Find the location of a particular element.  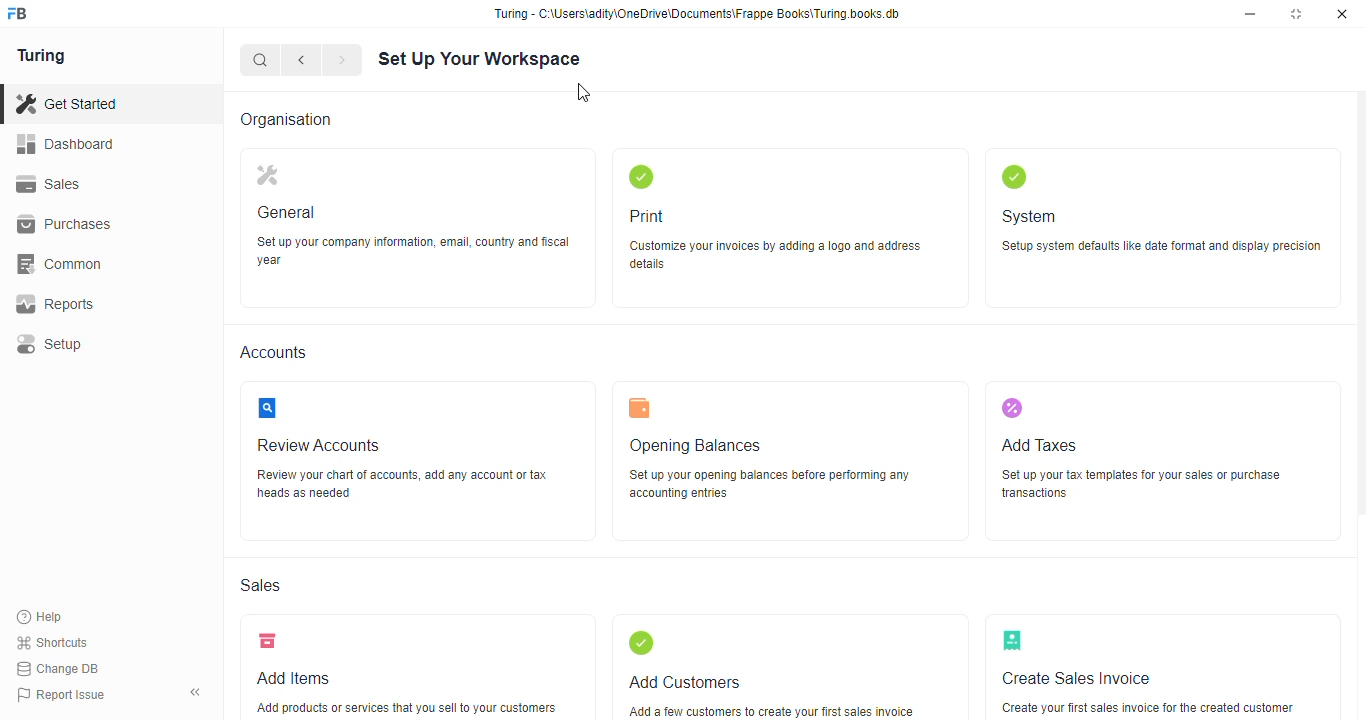

cursor is located at coordinates (588, 94).